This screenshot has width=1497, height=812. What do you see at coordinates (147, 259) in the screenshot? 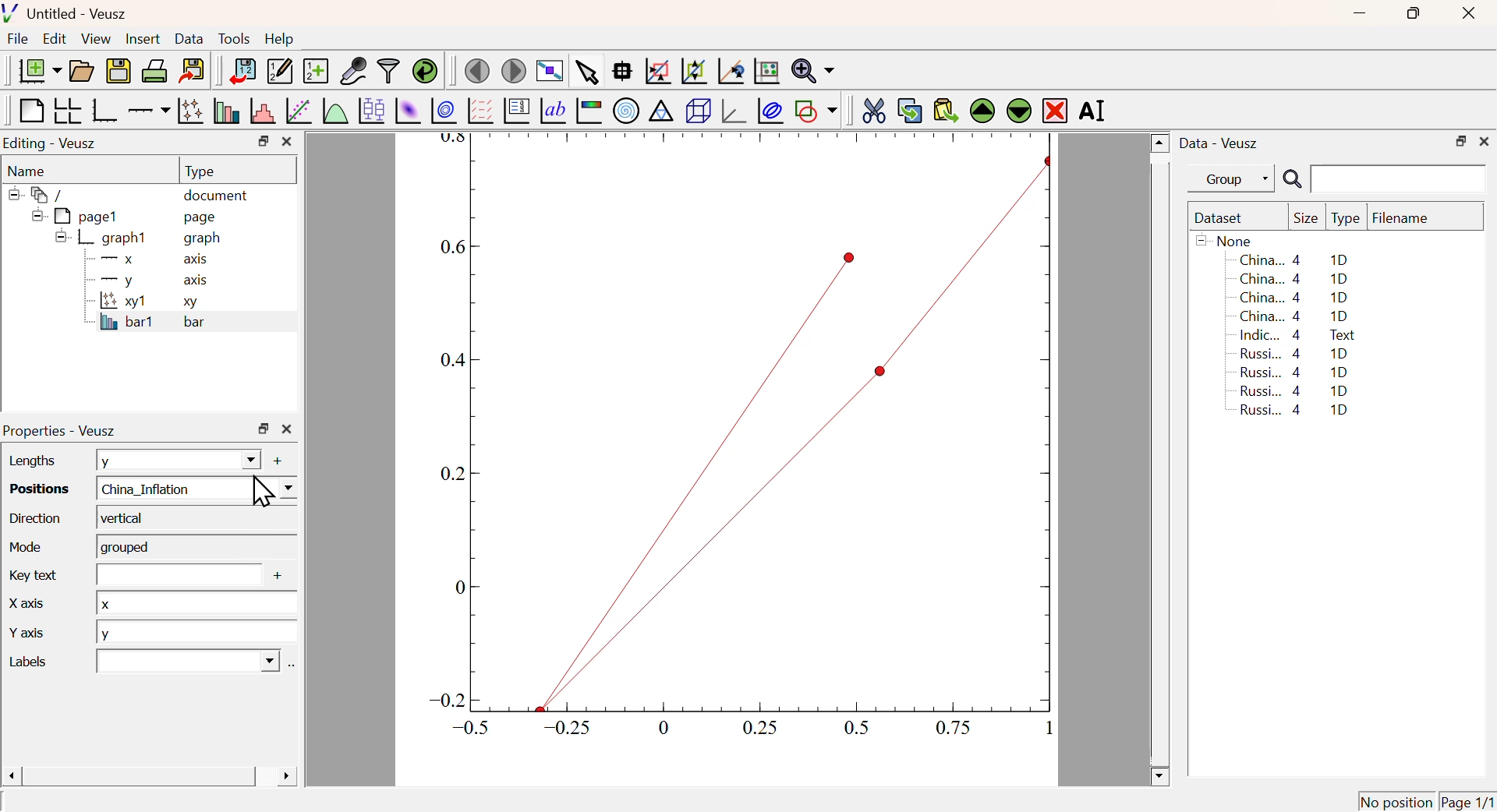
I see `X axis` at bounding box center [147, 259].